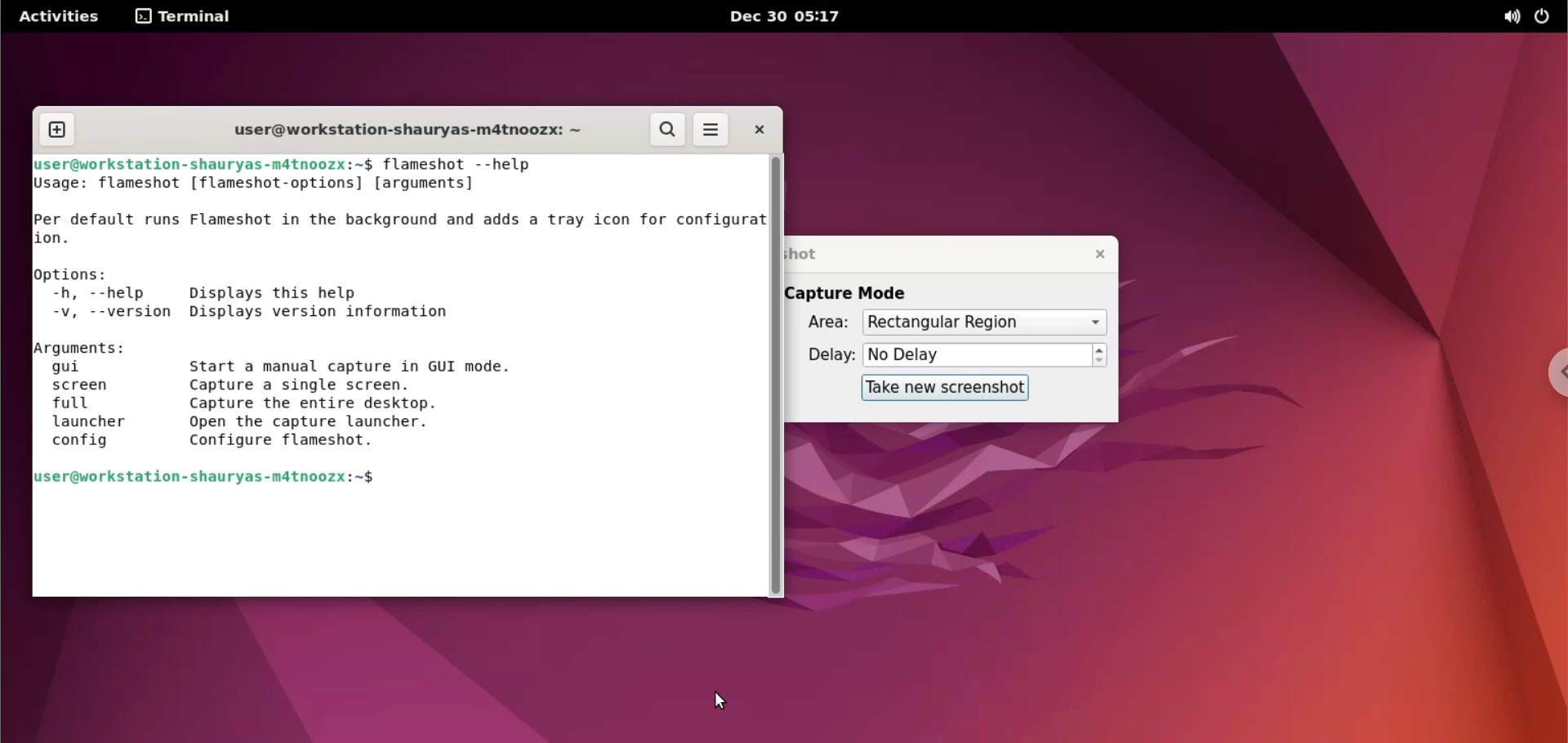 The image size is (1568, 743). What do you see at coordinates (945, 389) in the screenshot?
I see `take new screenshot` at bounding box center [945, 389].